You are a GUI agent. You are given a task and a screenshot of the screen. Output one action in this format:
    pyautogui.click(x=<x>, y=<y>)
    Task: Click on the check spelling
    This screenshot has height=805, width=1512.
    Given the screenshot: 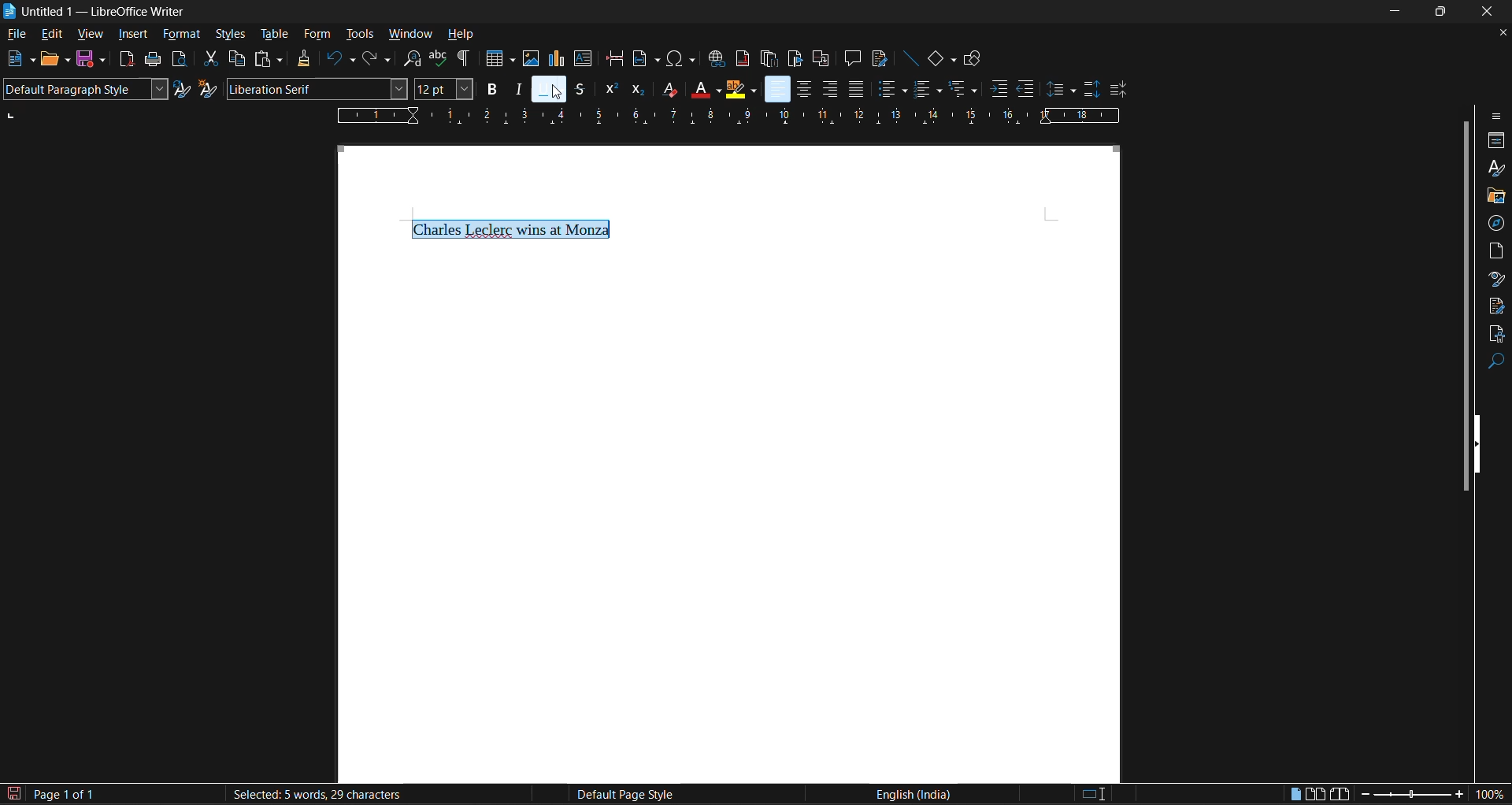 What is the action you would take?
    pyautogui.click(x=436, y=57)
    